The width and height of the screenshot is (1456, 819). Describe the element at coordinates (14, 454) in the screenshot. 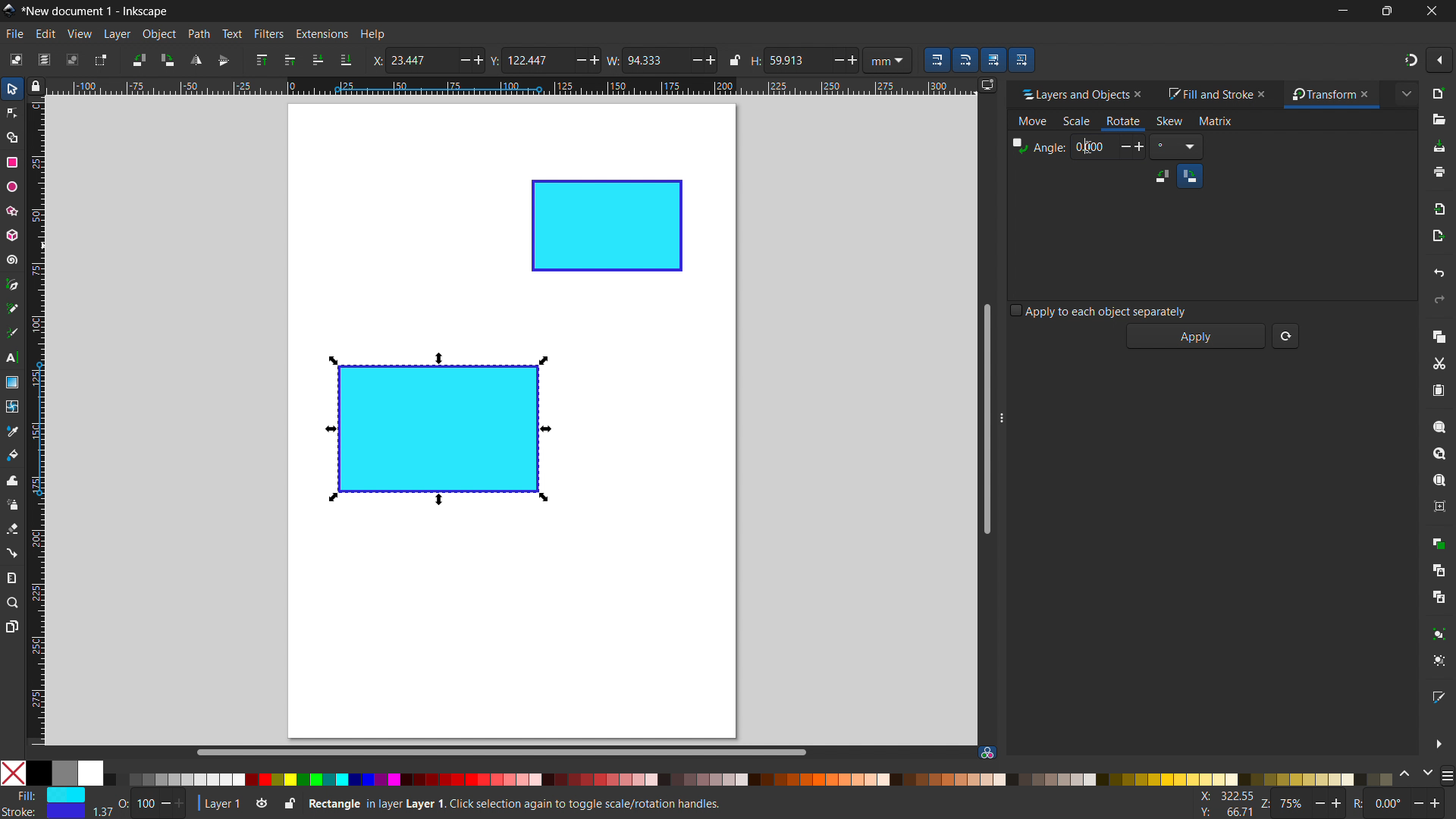

I see `paint bucket tool` at that location.